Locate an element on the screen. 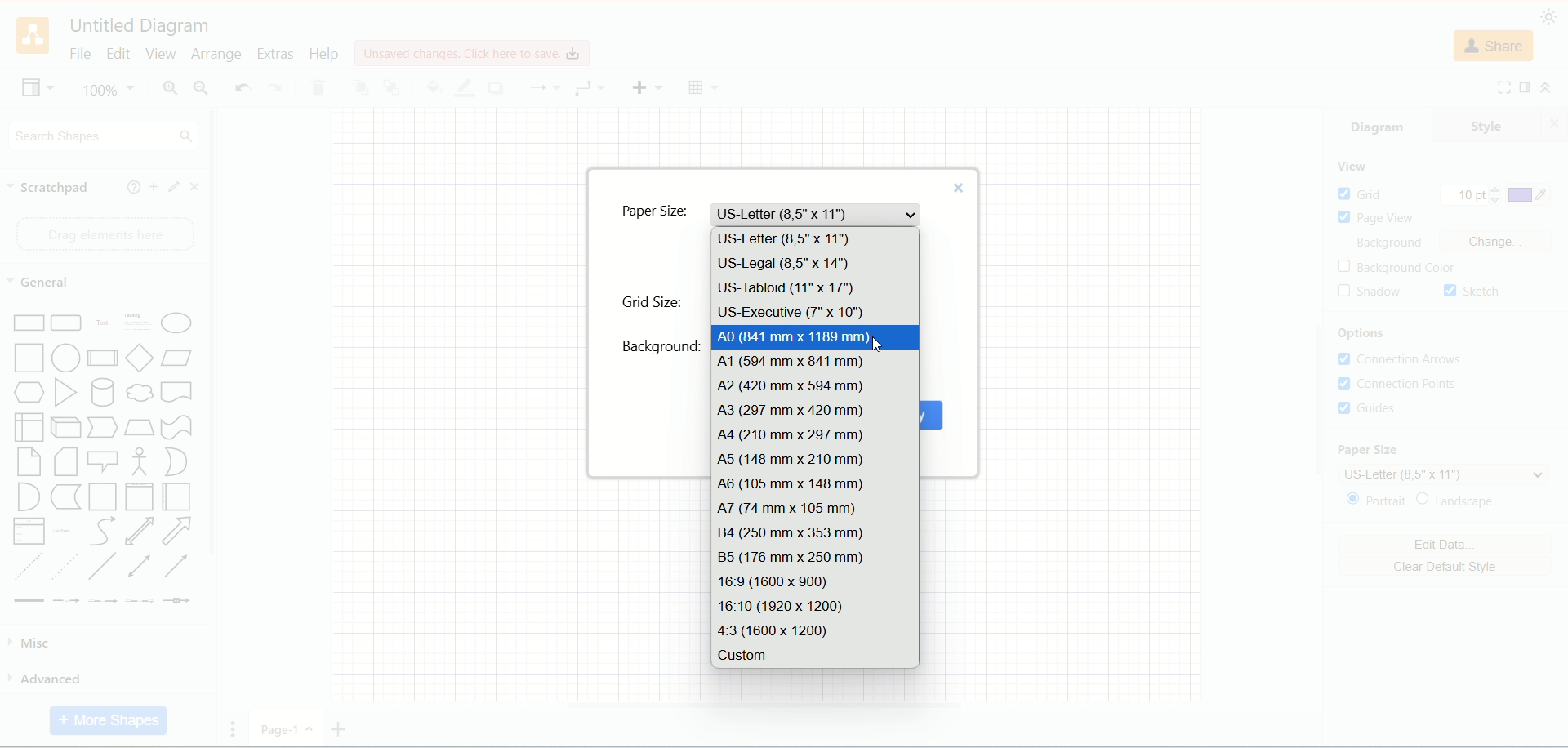 The image size is (1568, 748). Heading with Text is located at coordinates (139, 324).